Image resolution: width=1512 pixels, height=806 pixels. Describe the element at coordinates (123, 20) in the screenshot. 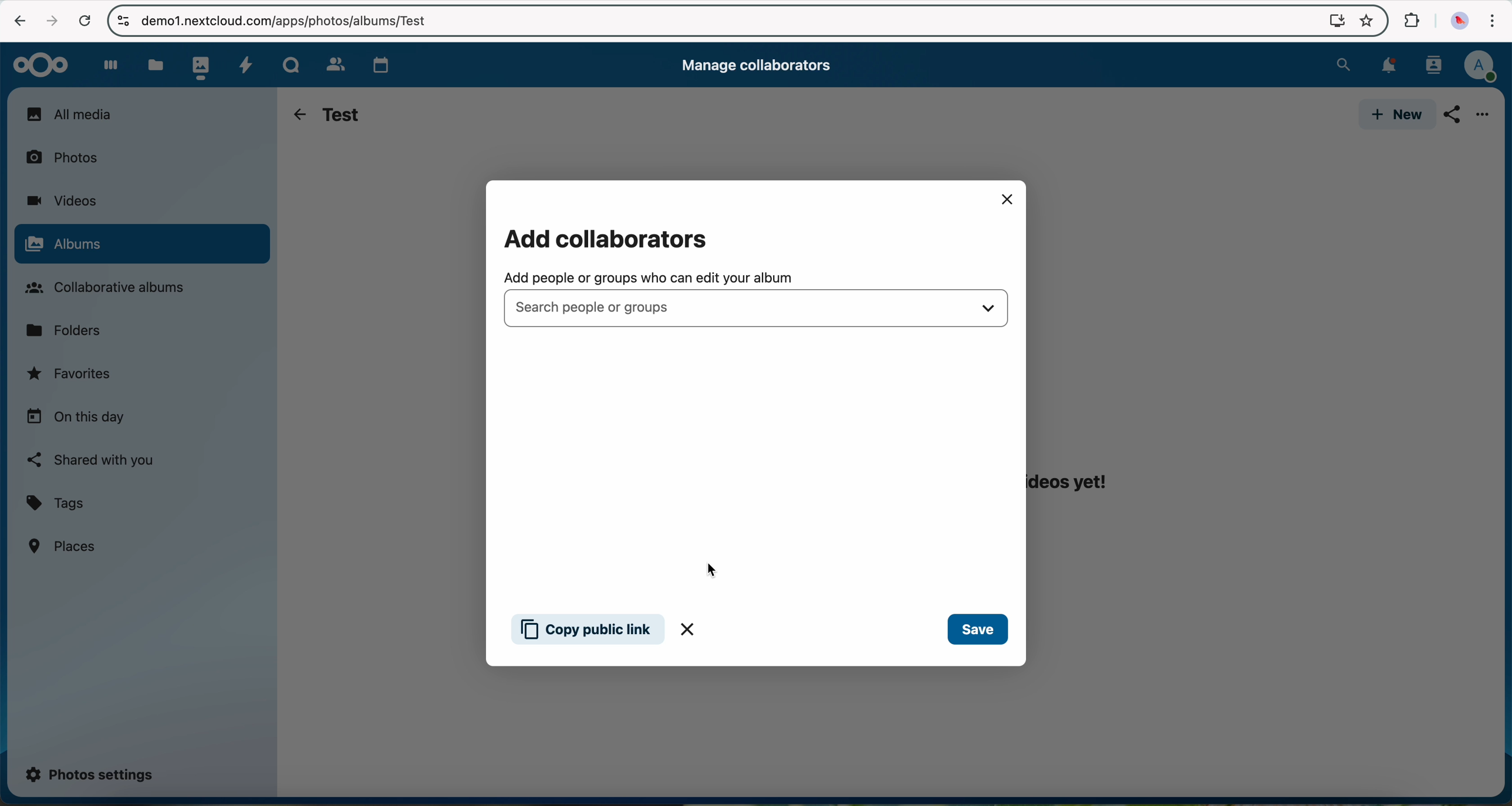

I see `controls` at that location.